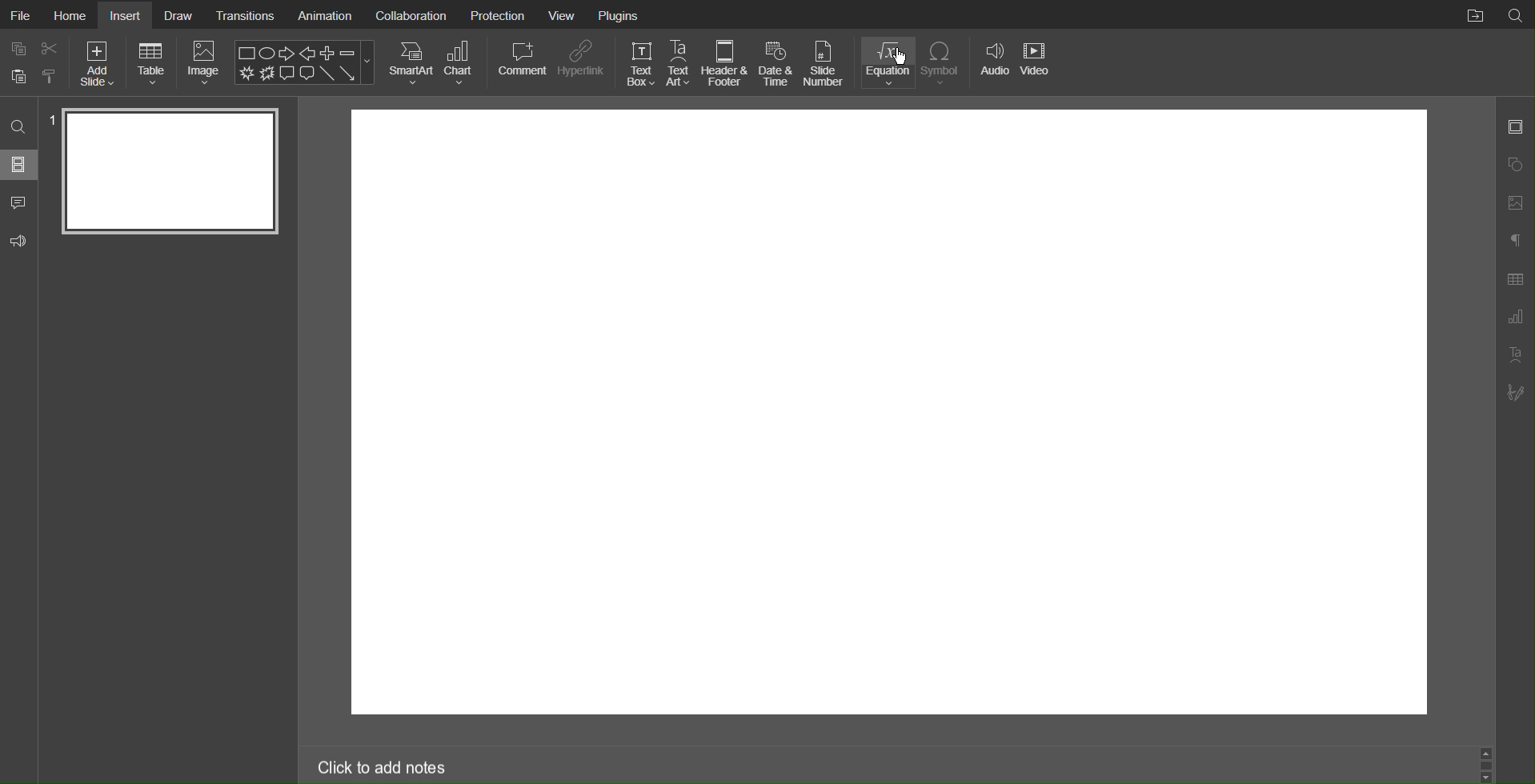  I want to click on Graph Settings, so click(1514, 318).